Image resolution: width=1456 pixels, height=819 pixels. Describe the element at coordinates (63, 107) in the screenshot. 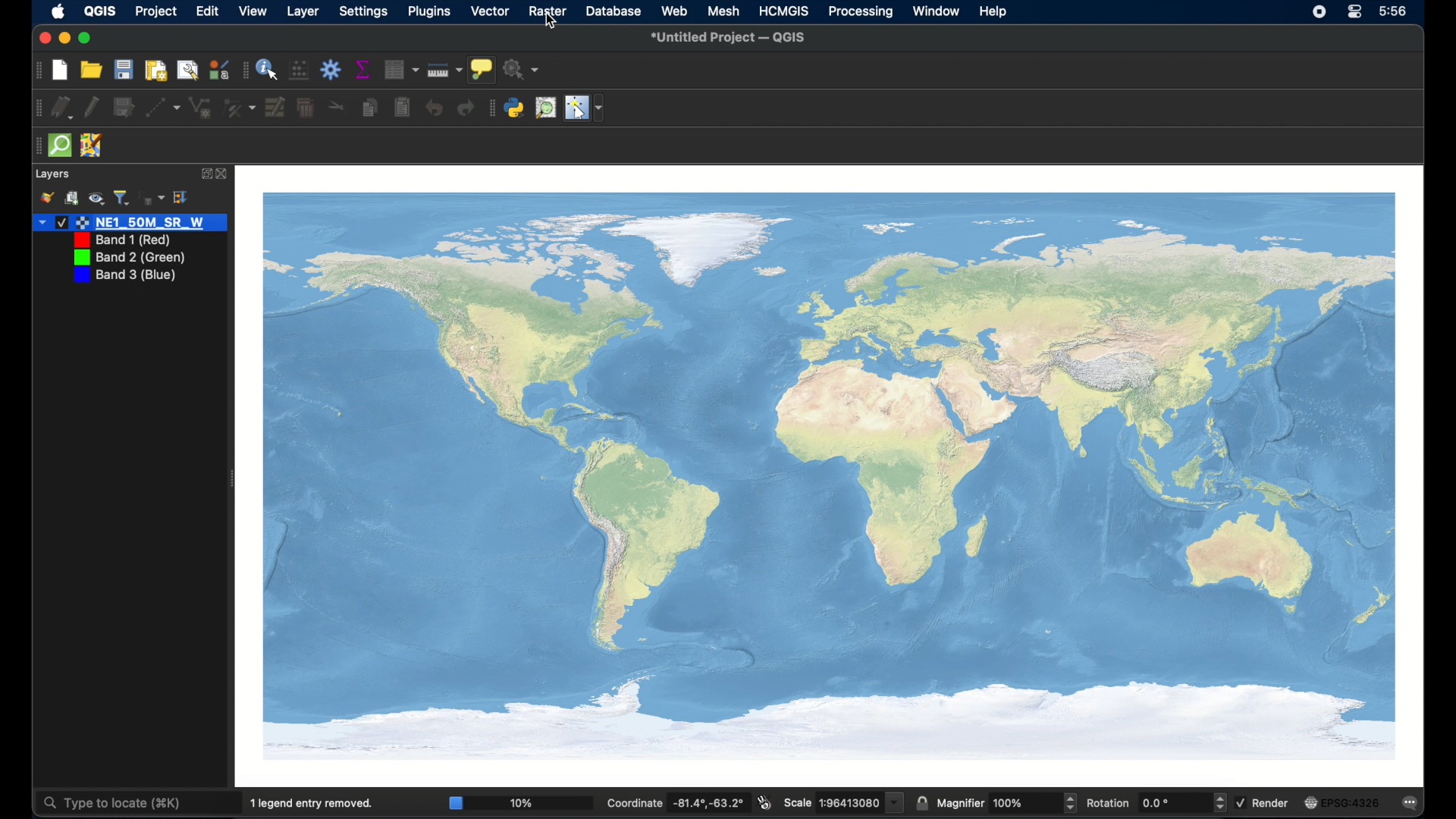

I see `current edits` at that location.